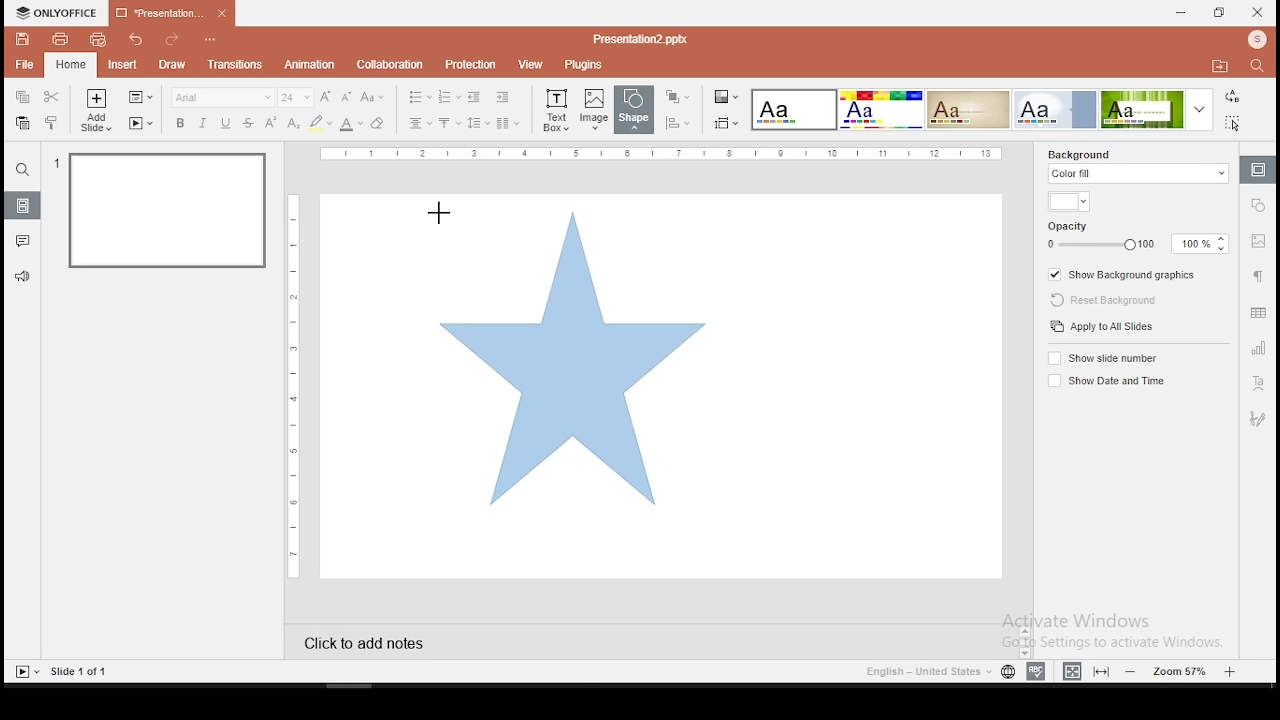 This screenshot has width=1280, height=720. What do you see at coordinates (57, 13) in the screenshot?
I see `icon` at bounding box center [57, 13].